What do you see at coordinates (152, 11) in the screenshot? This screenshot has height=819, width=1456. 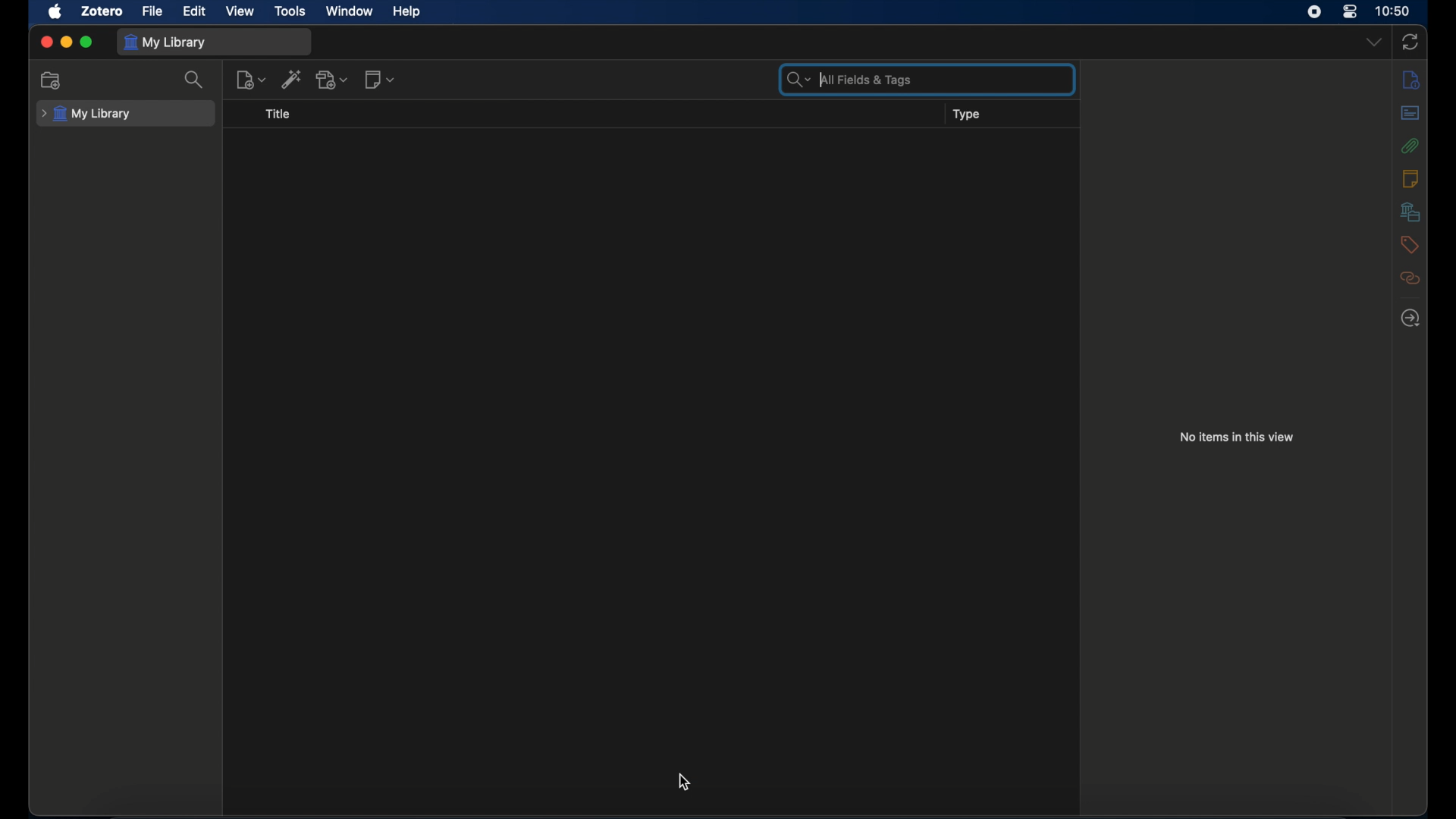 I see `file` at bounding box center [152, 11].